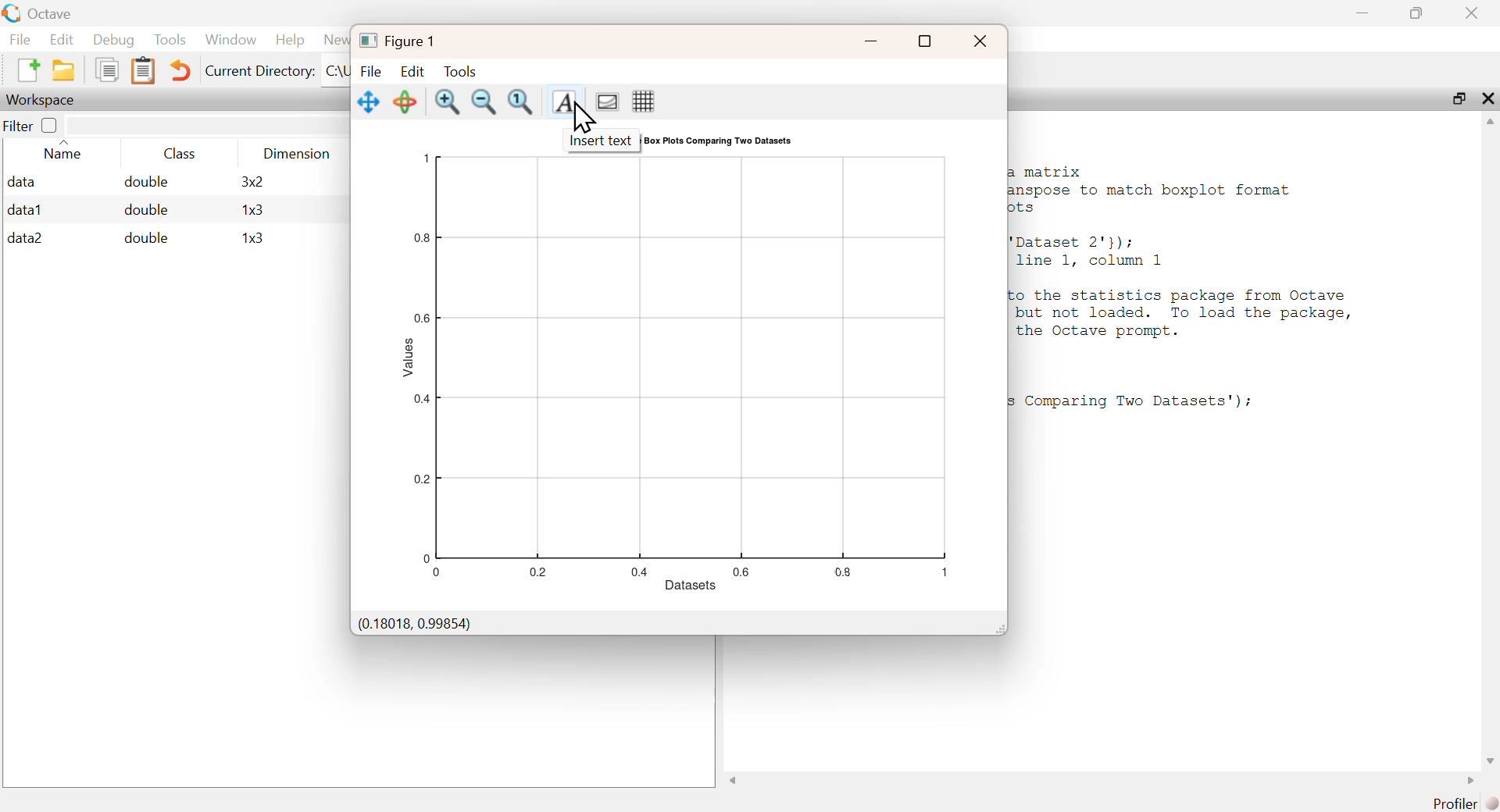  I want to click on Undo, so click(182, 72).